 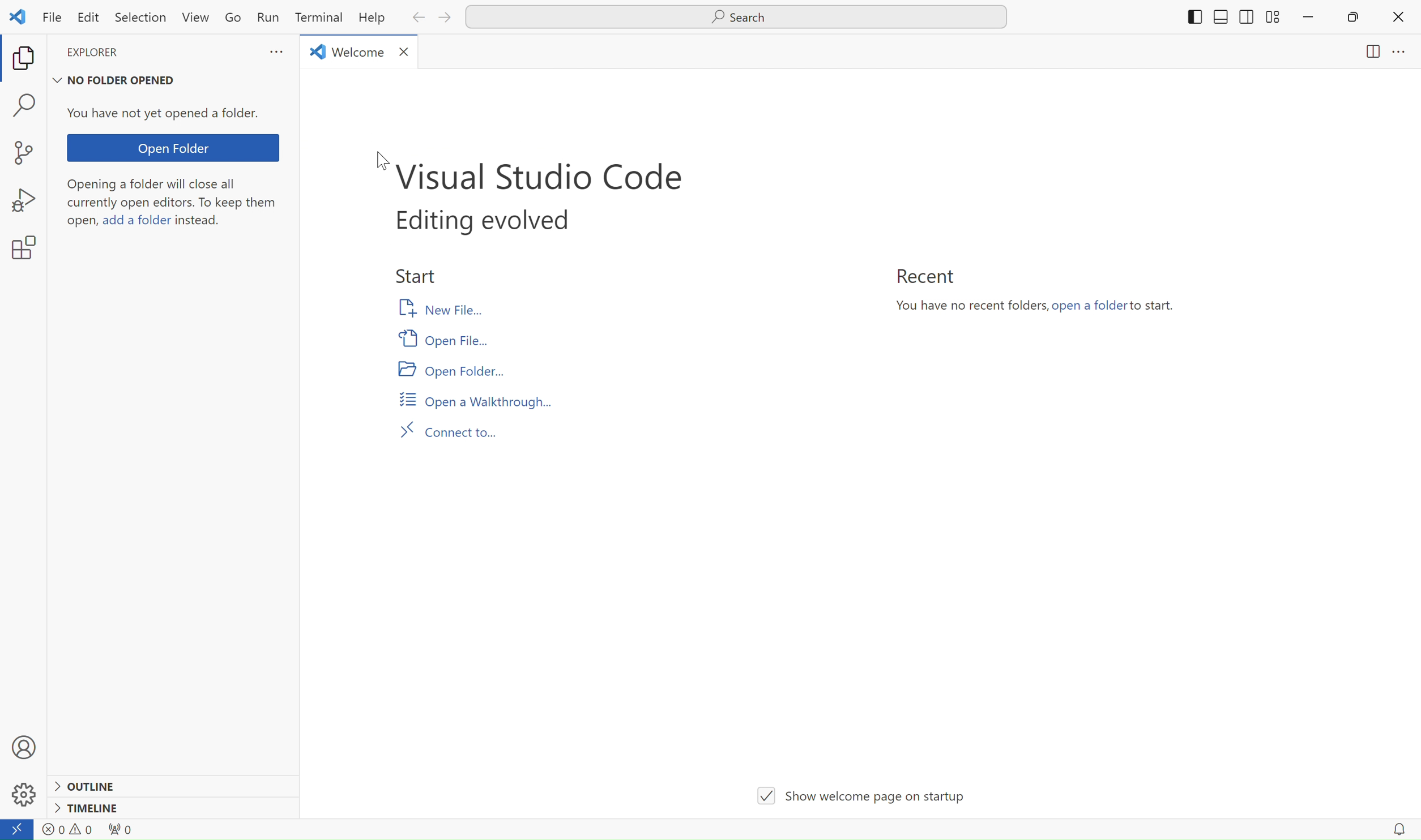 I want to click on timeline, so click(x=95, y=808).